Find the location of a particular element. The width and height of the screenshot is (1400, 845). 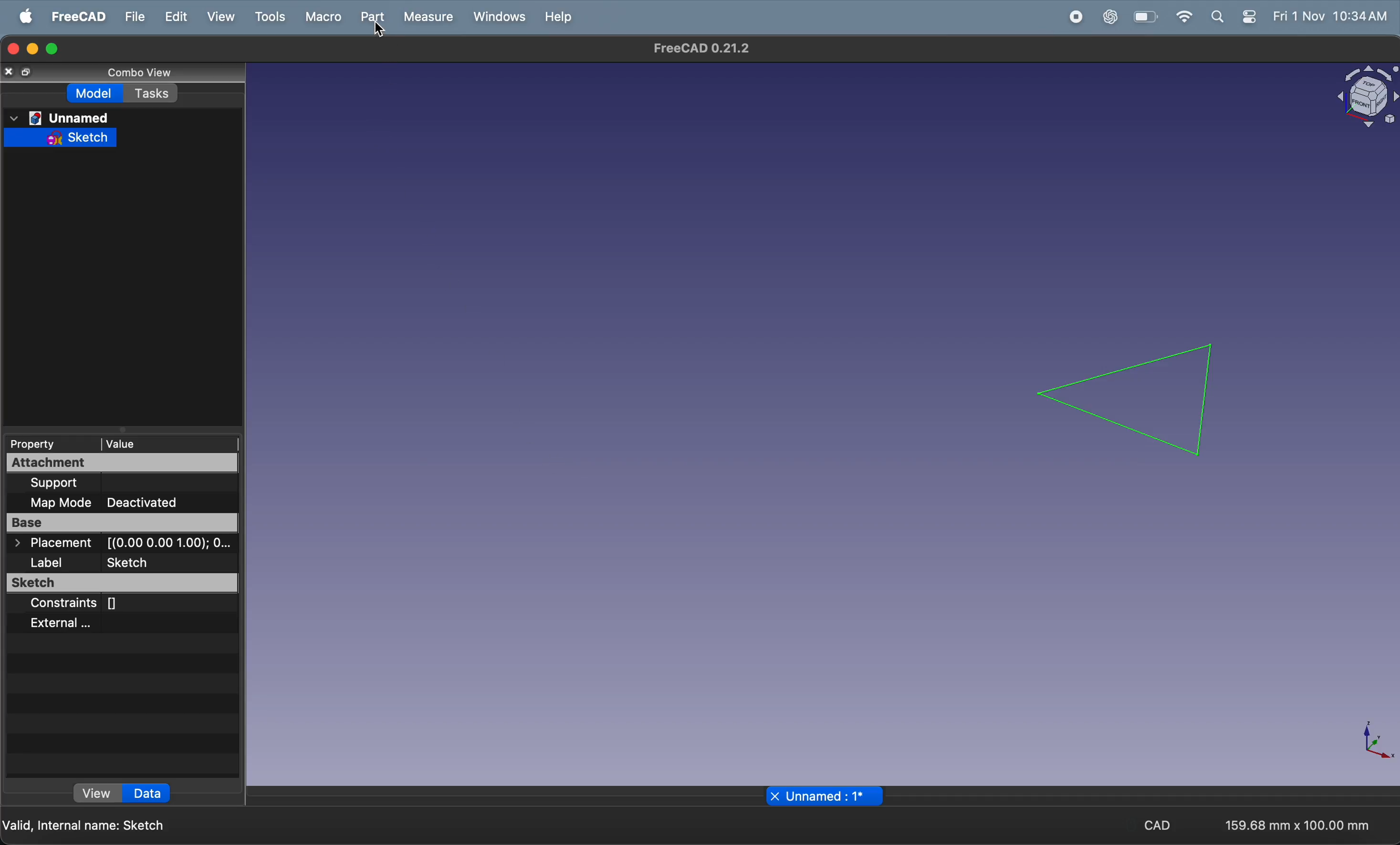

sketch is located at coordinates (70, 137).